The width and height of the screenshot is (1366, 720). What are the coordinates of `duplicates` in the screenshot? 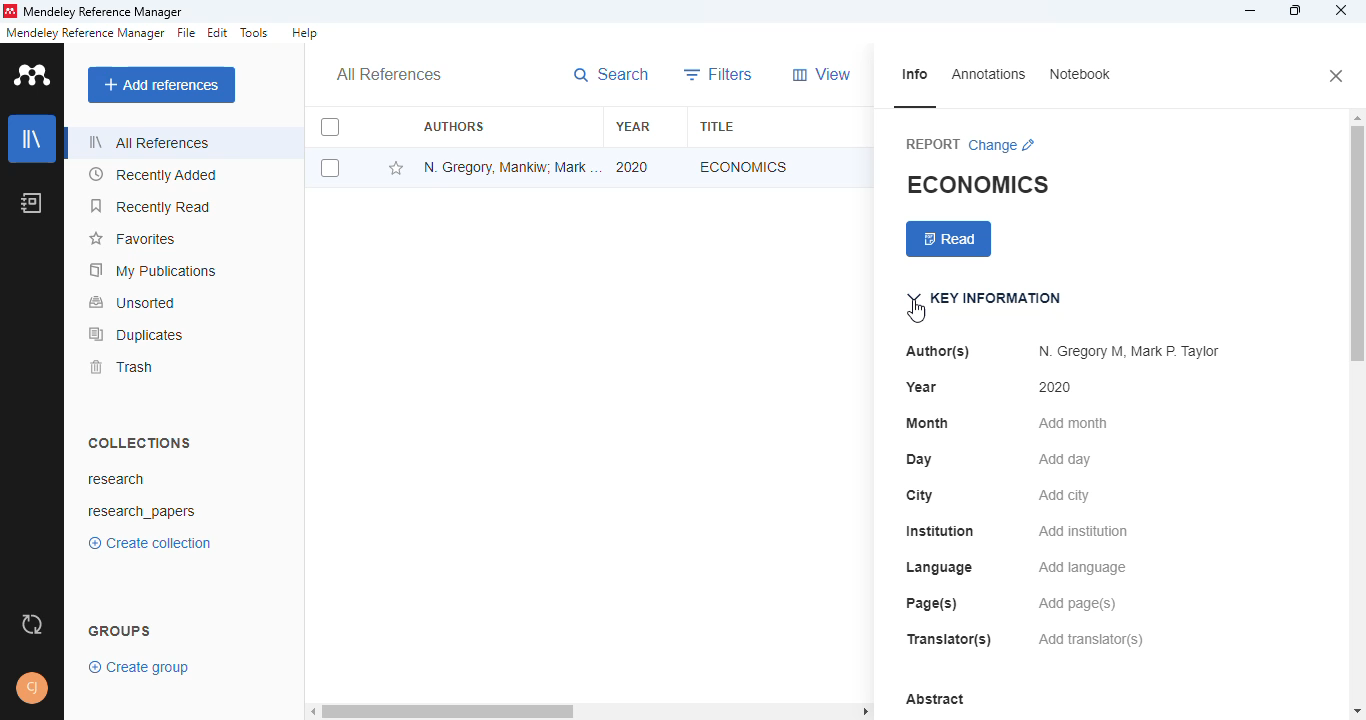 It's located at (135, 335).